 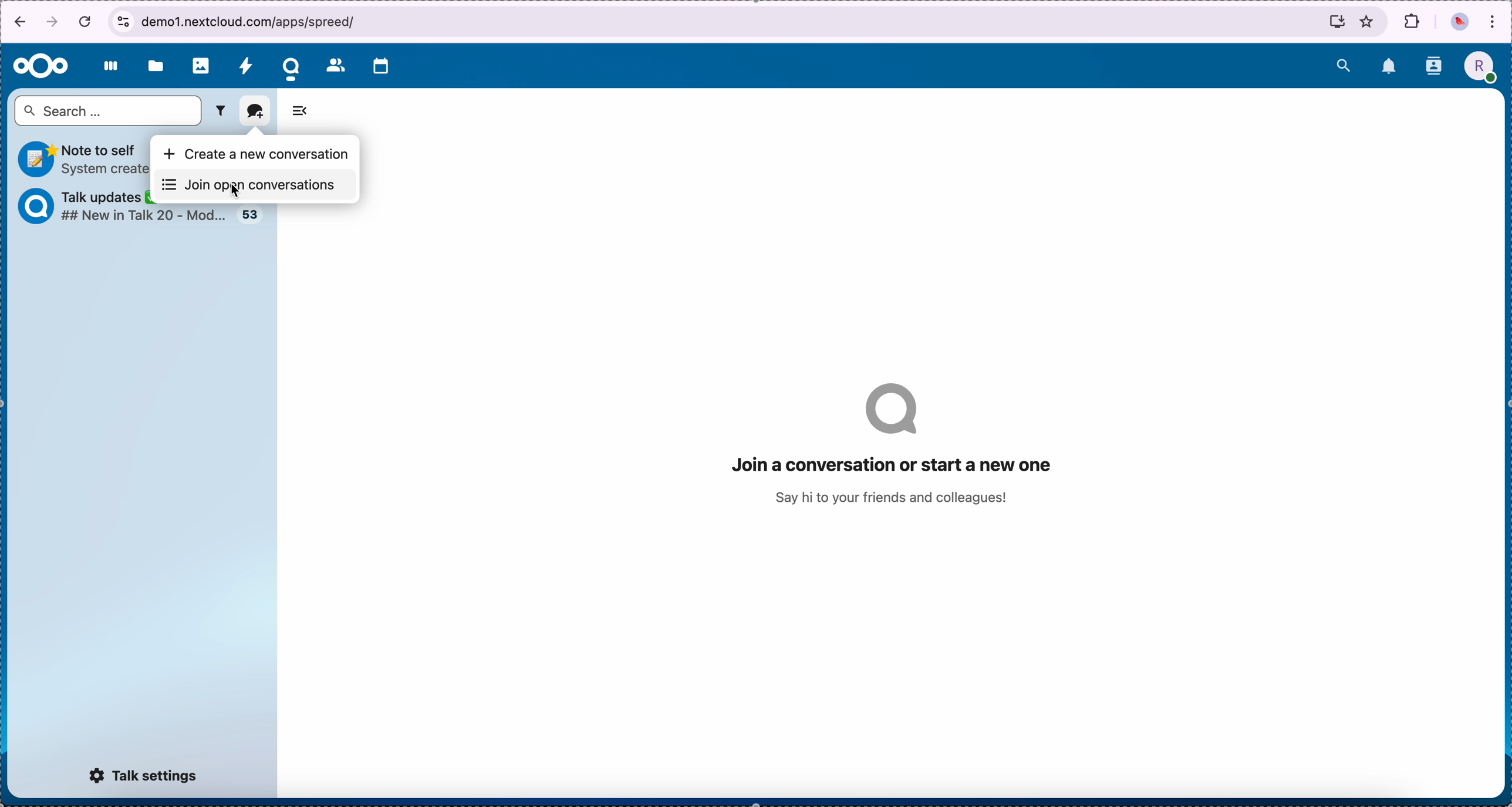 I want to click on profile picture, so click(x=1459, y=22).